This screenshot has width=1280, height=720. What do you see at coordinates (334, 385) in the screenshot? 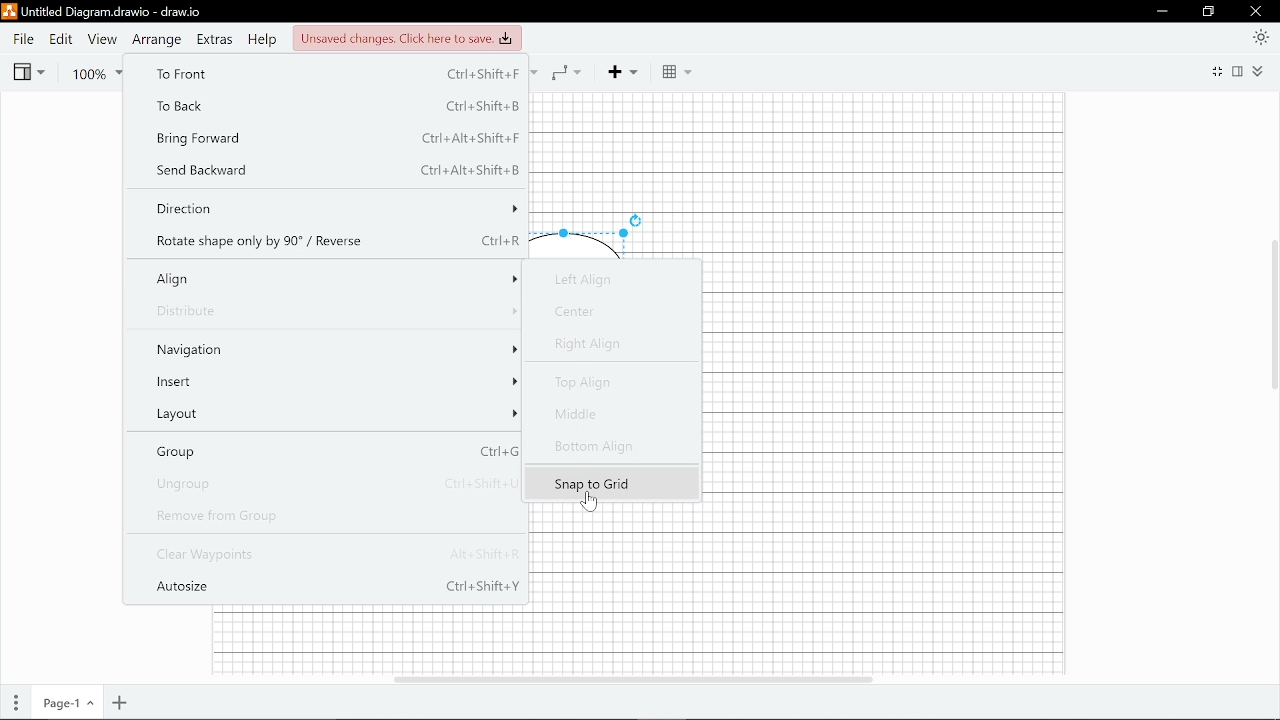
I see `Insert` at bounding box center [334, 385].